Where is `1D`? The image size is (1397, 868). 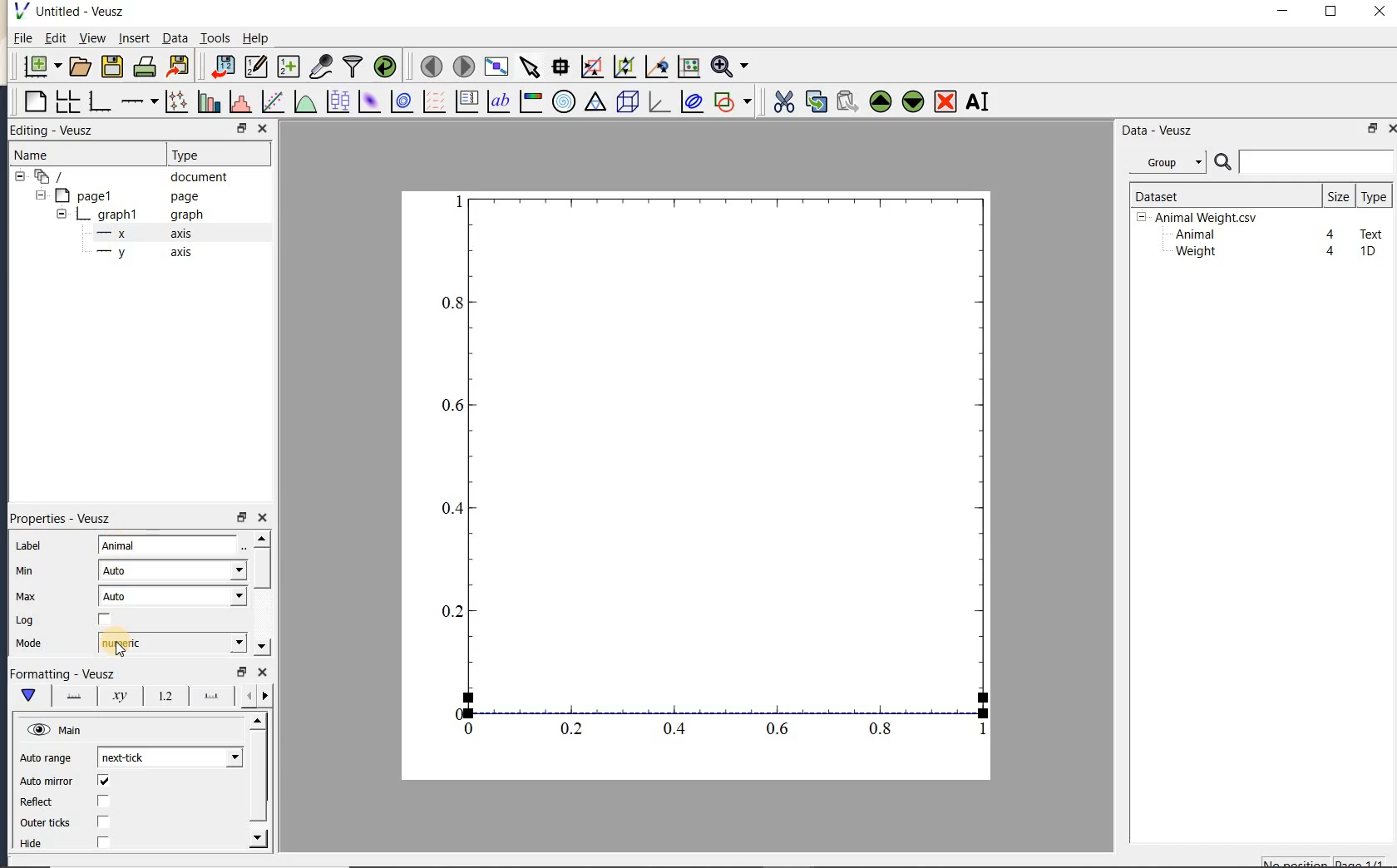 1D is located at coordinates (1367, 251).